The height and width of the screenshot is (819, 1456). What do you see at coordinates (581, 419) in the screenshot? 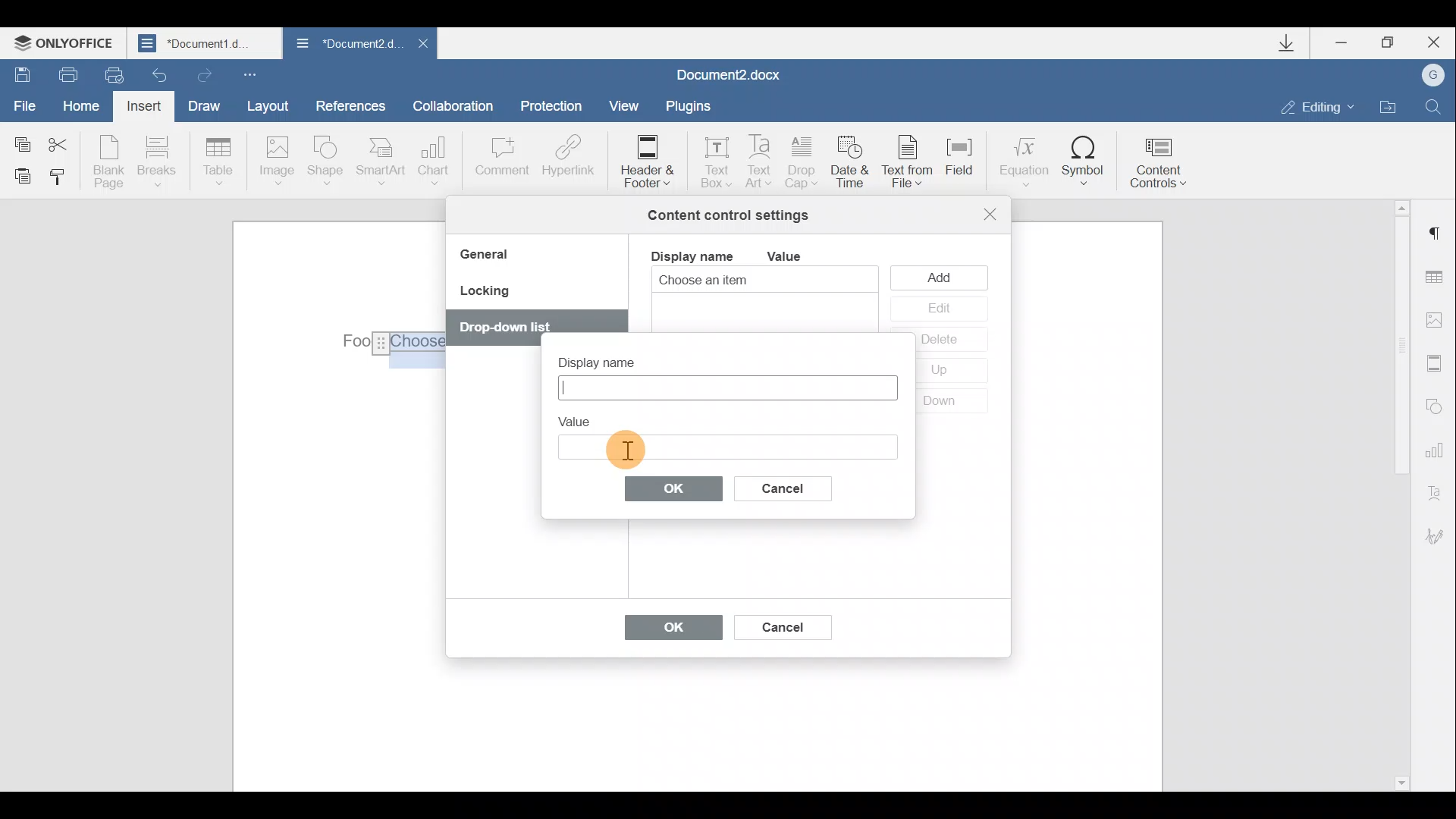
I see `Value` at bounding box center [581, 419].